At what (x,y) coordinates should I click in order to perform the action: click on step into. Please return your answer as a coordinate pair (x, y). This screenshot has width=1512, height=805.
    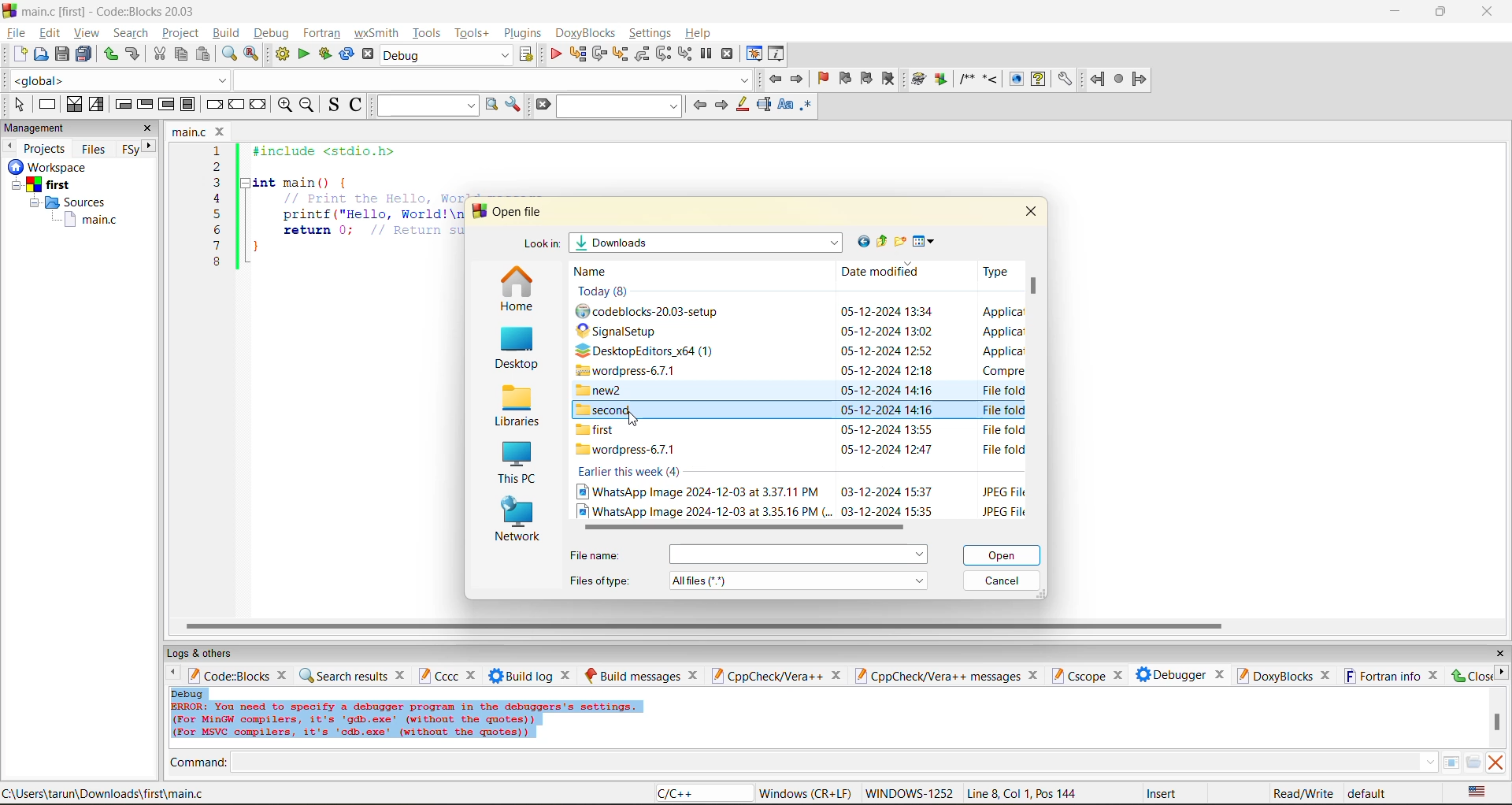
    Looking at the image, I should click on (990, 78).